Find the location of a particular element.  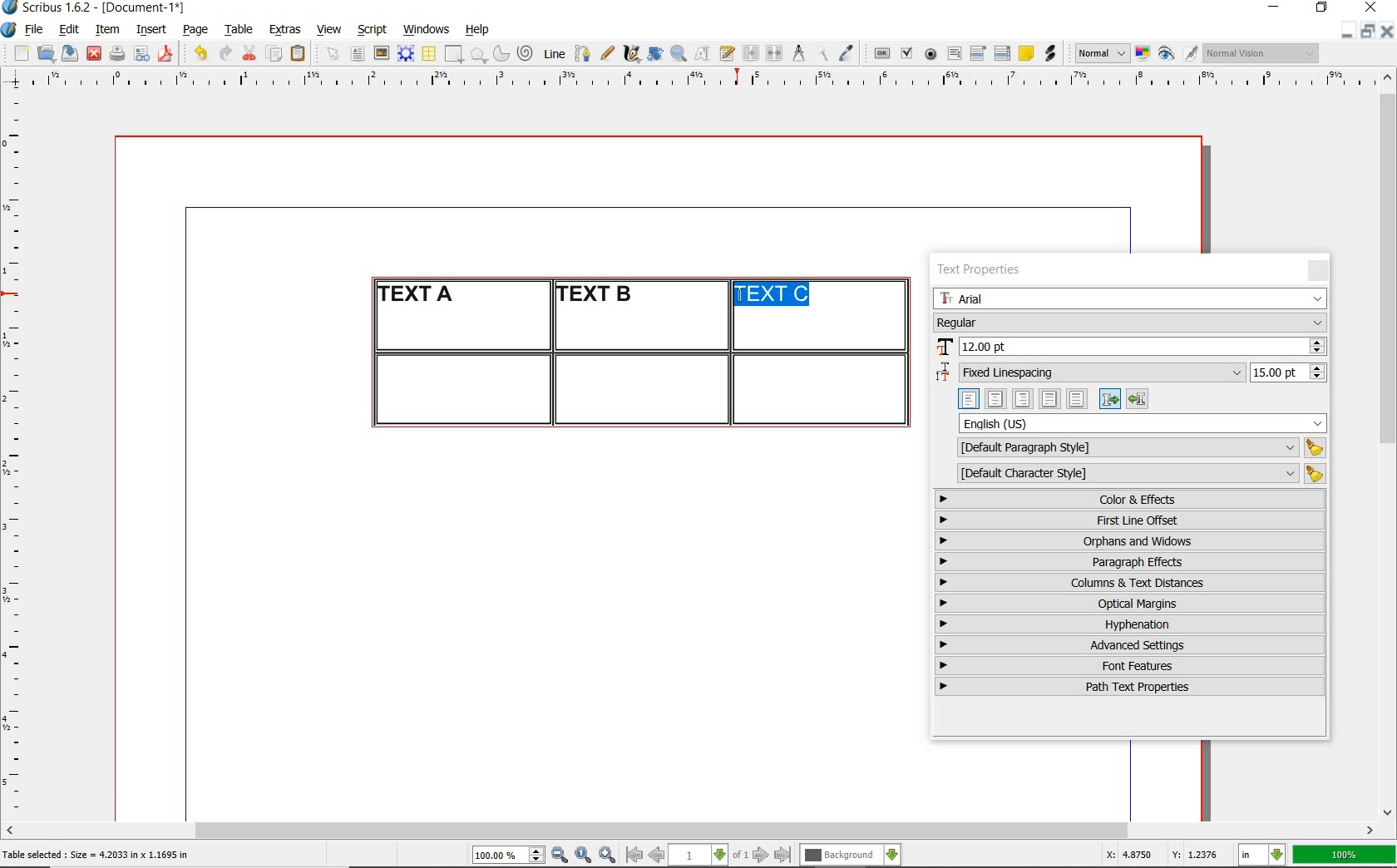

ruler is located at coordinates (709, 81).